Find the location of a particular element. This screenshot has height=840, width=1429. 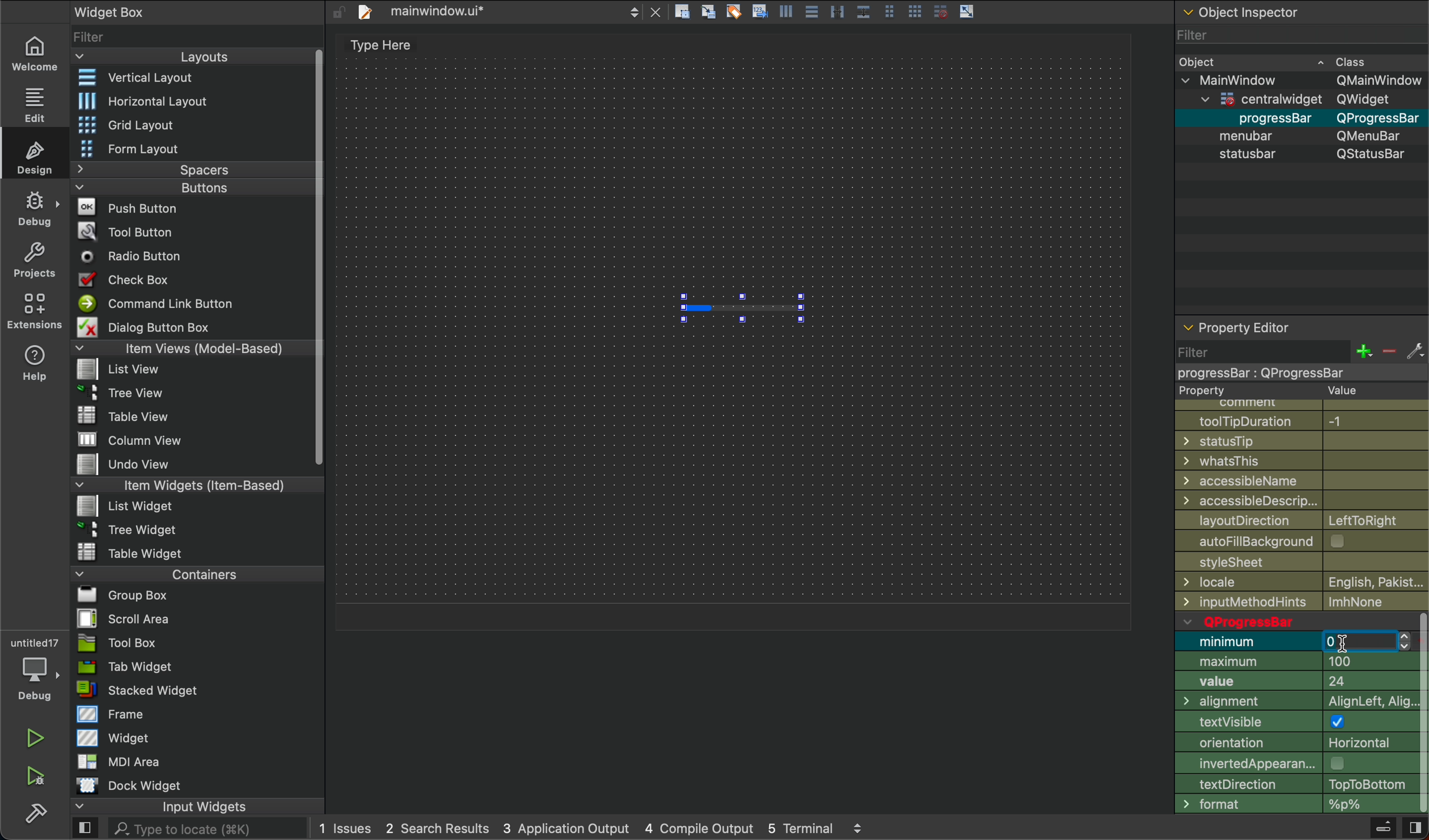

tooltip duration is located at coordinates (1296, 419).